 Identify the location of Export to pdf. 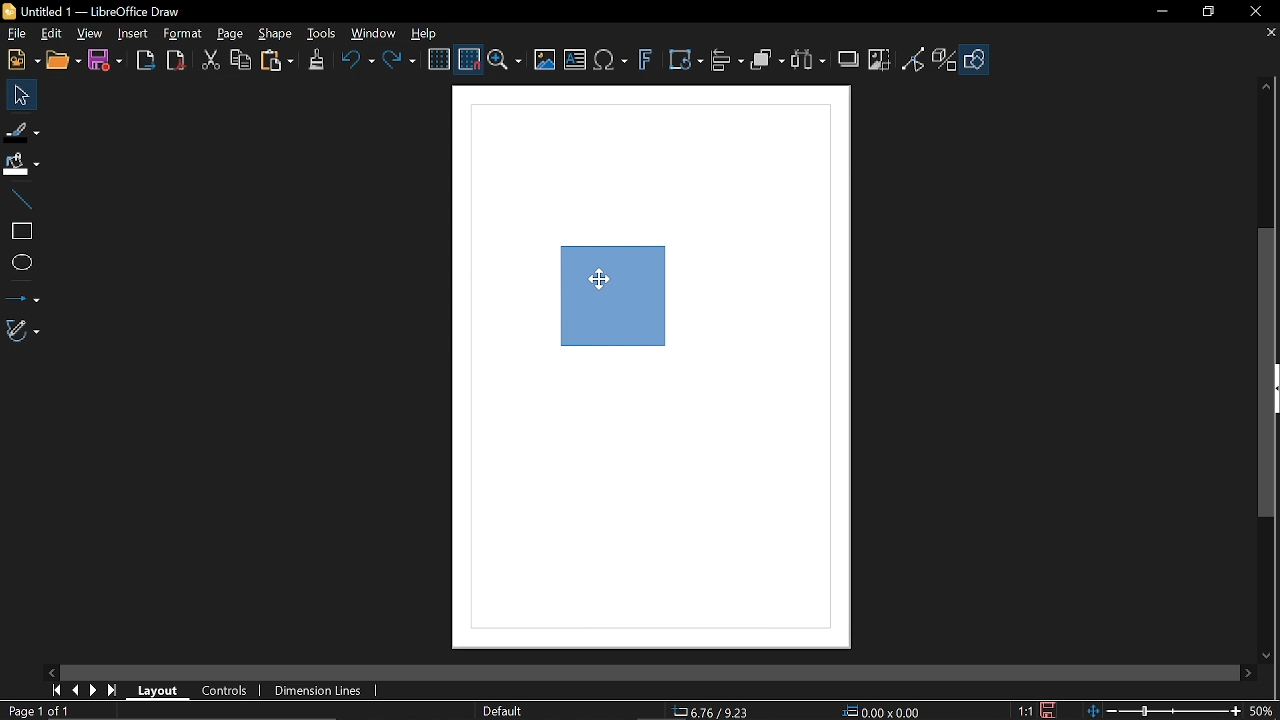
(174, 60).